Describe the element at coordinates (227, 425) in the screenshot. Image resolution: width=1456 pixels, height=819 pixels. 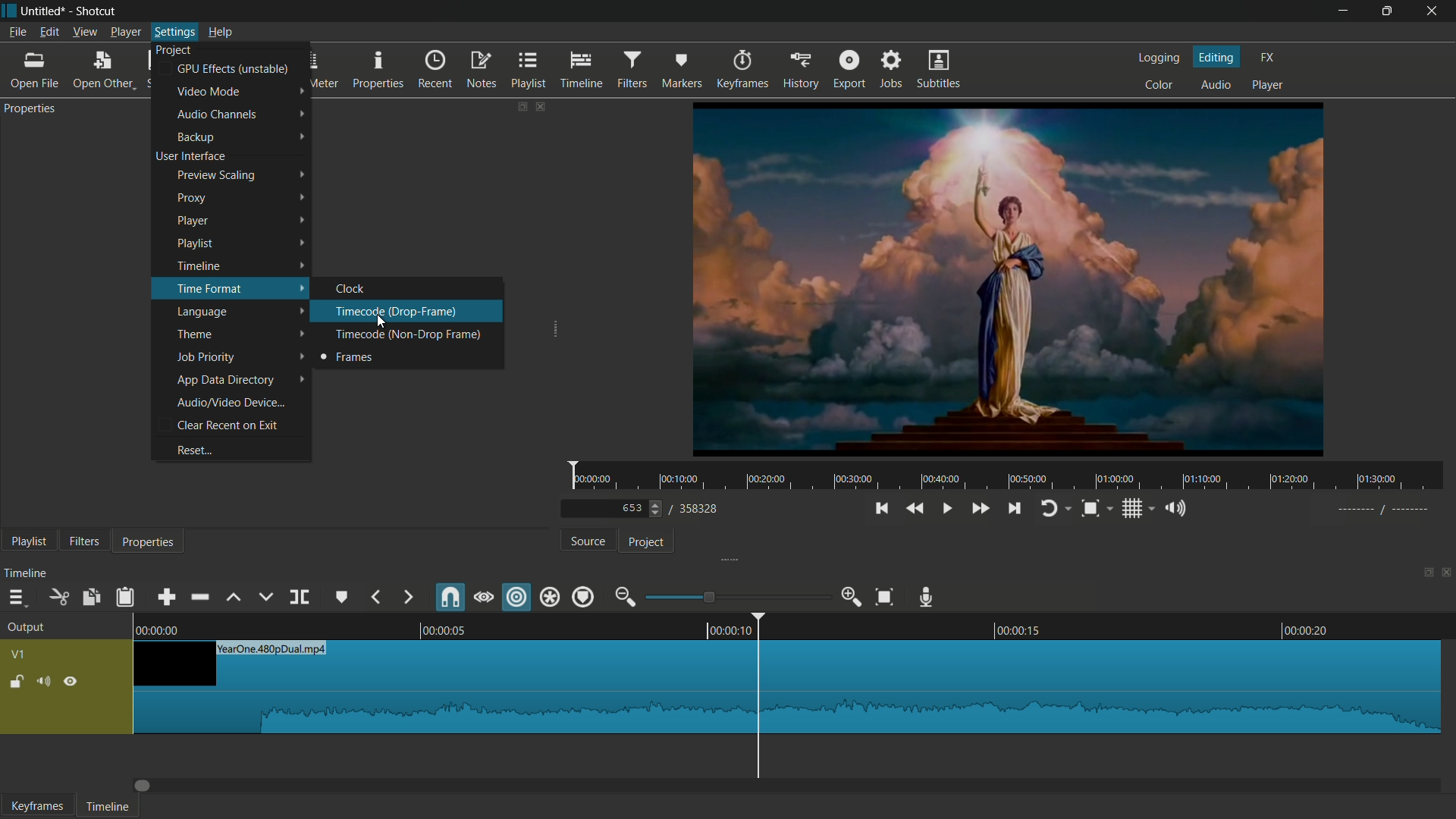
I see `clear recent on exit` at that location.